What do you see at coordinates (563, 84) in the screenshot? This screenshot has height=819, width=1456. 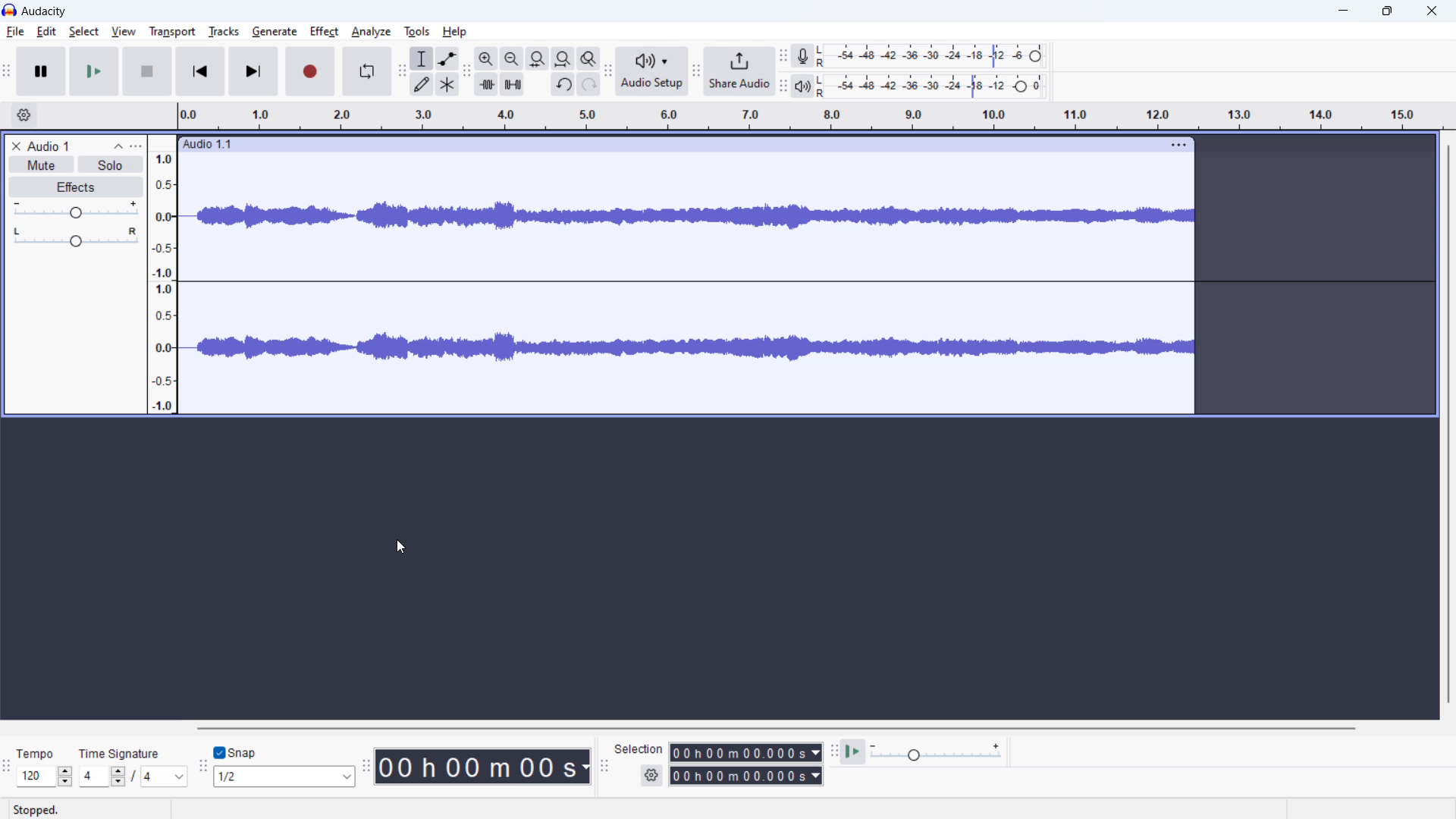 I see `undo` at bounding box center [563, 84].